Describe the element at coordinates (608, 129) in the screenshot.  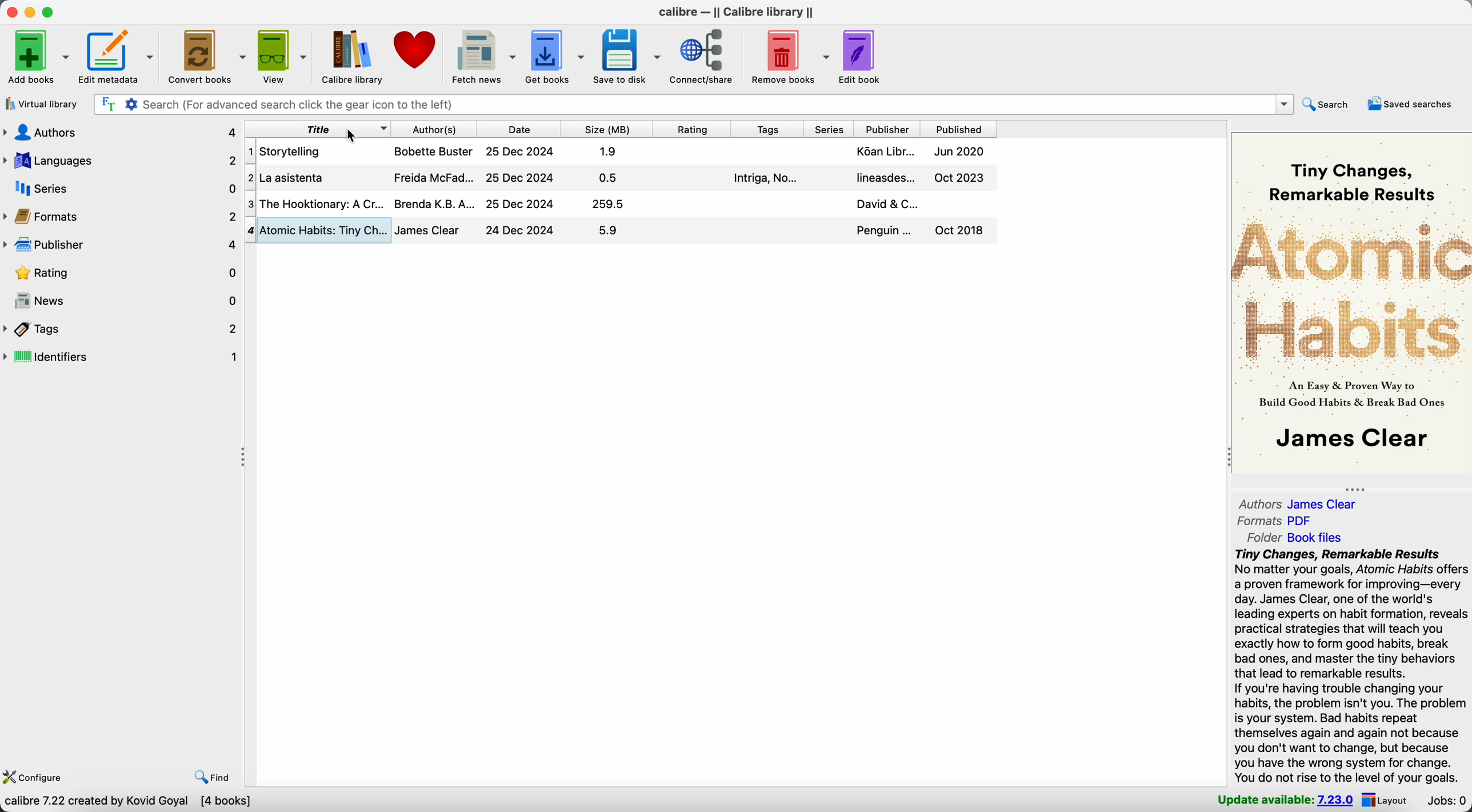
I see `size` at that location.